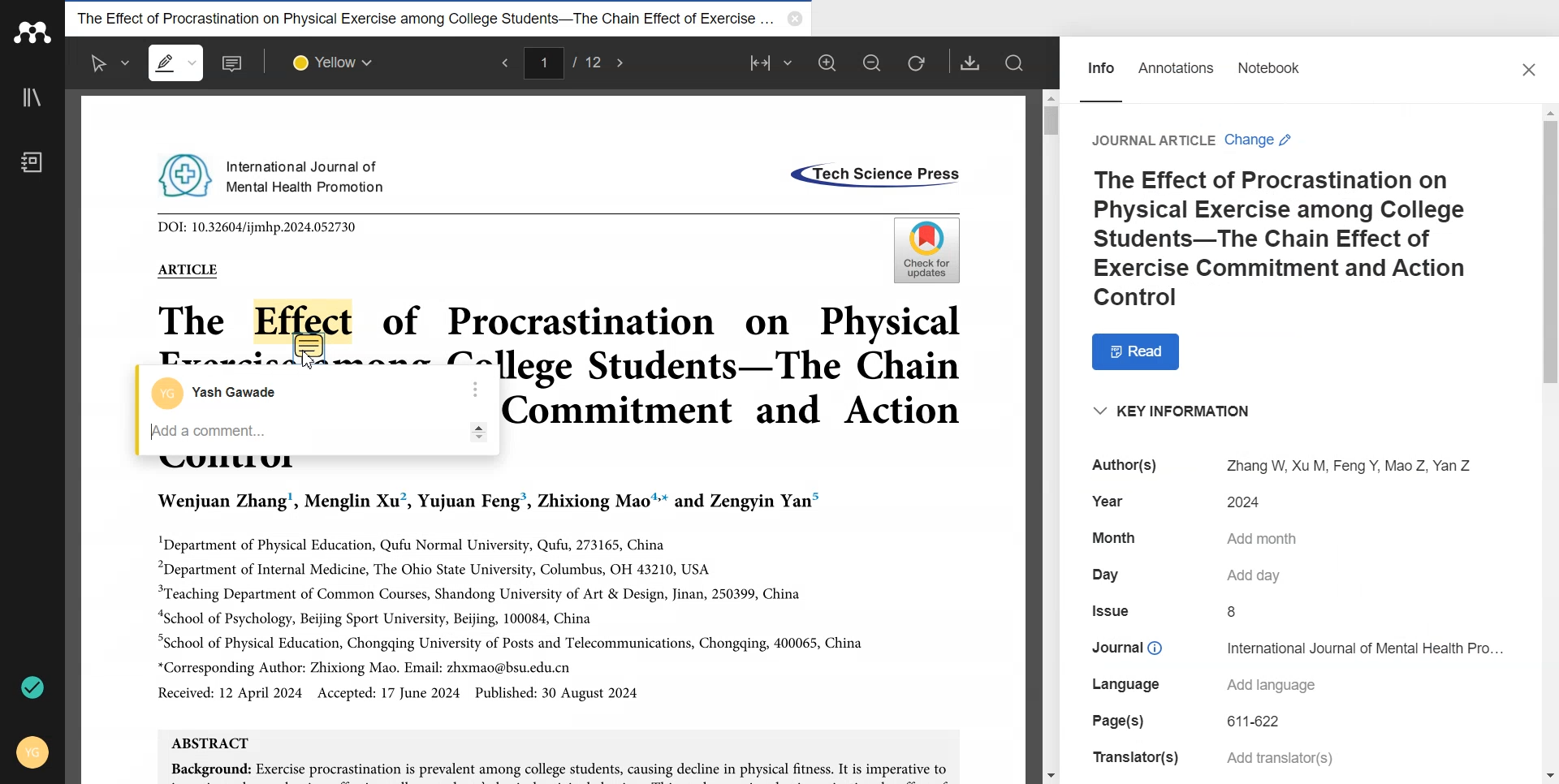 The width and height of the screenshot is (1559, 784). What do you see at coordinates (424, 15) in the screenshot?
I see ` The Effect of Procrastination on Physical Exercise among College Students-The Chain Effect of Exercise...` at bounding box center [424, 15].